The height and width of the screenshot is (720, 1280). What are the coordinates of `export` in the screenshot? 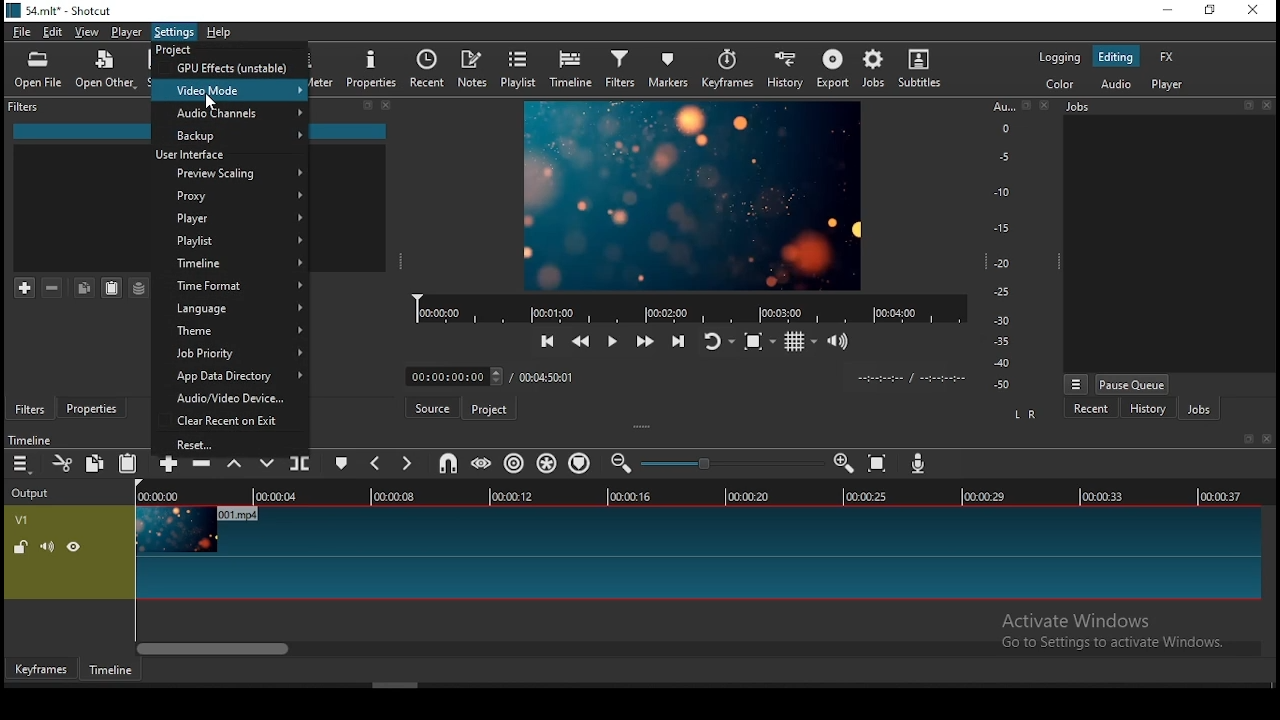 It's located at (832, 68).